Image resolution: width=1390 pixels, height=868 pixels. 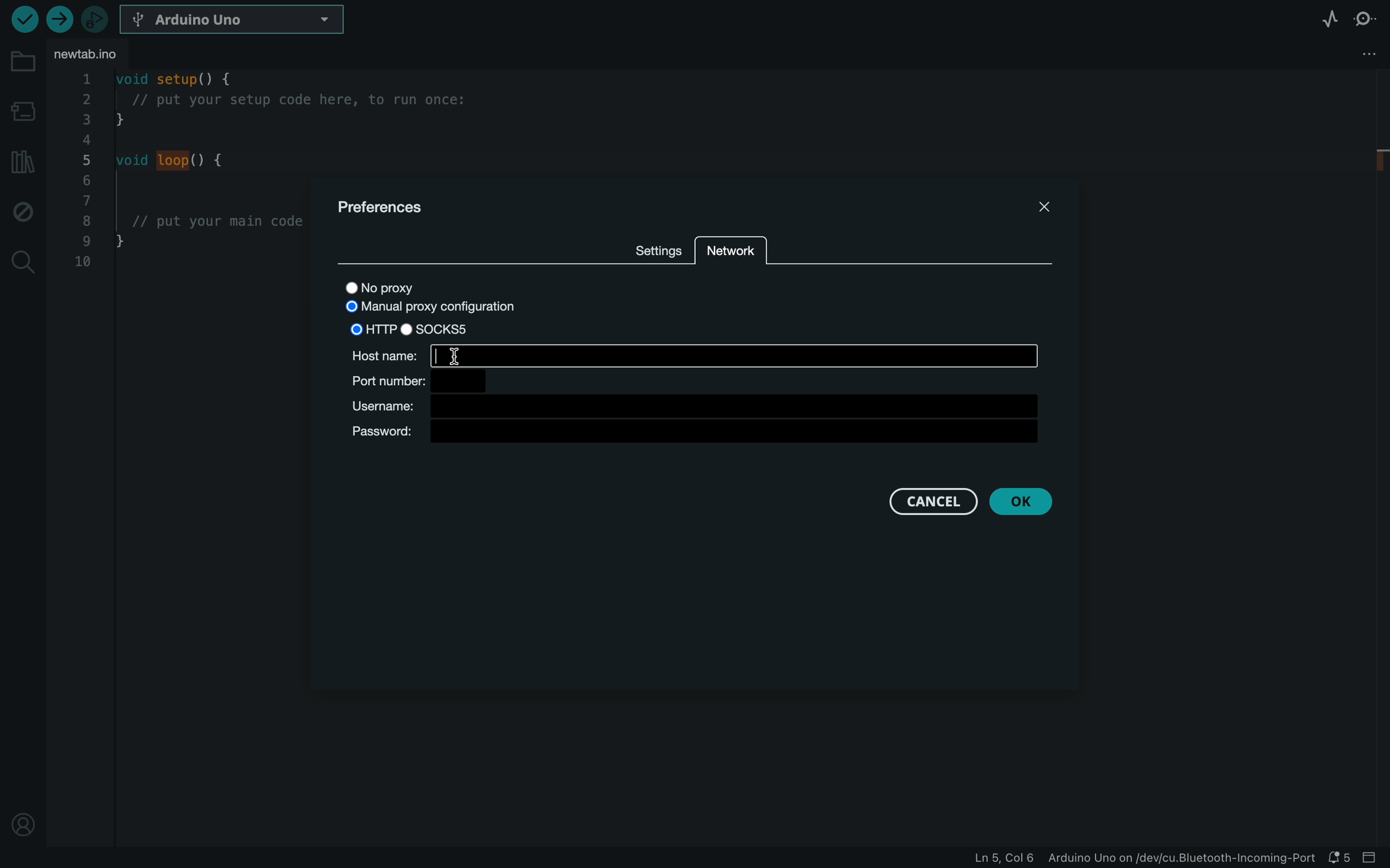 What do you see at coordinates (470, 356) in the screenshot?
I see `cursor` at bounding box center [470, 356].